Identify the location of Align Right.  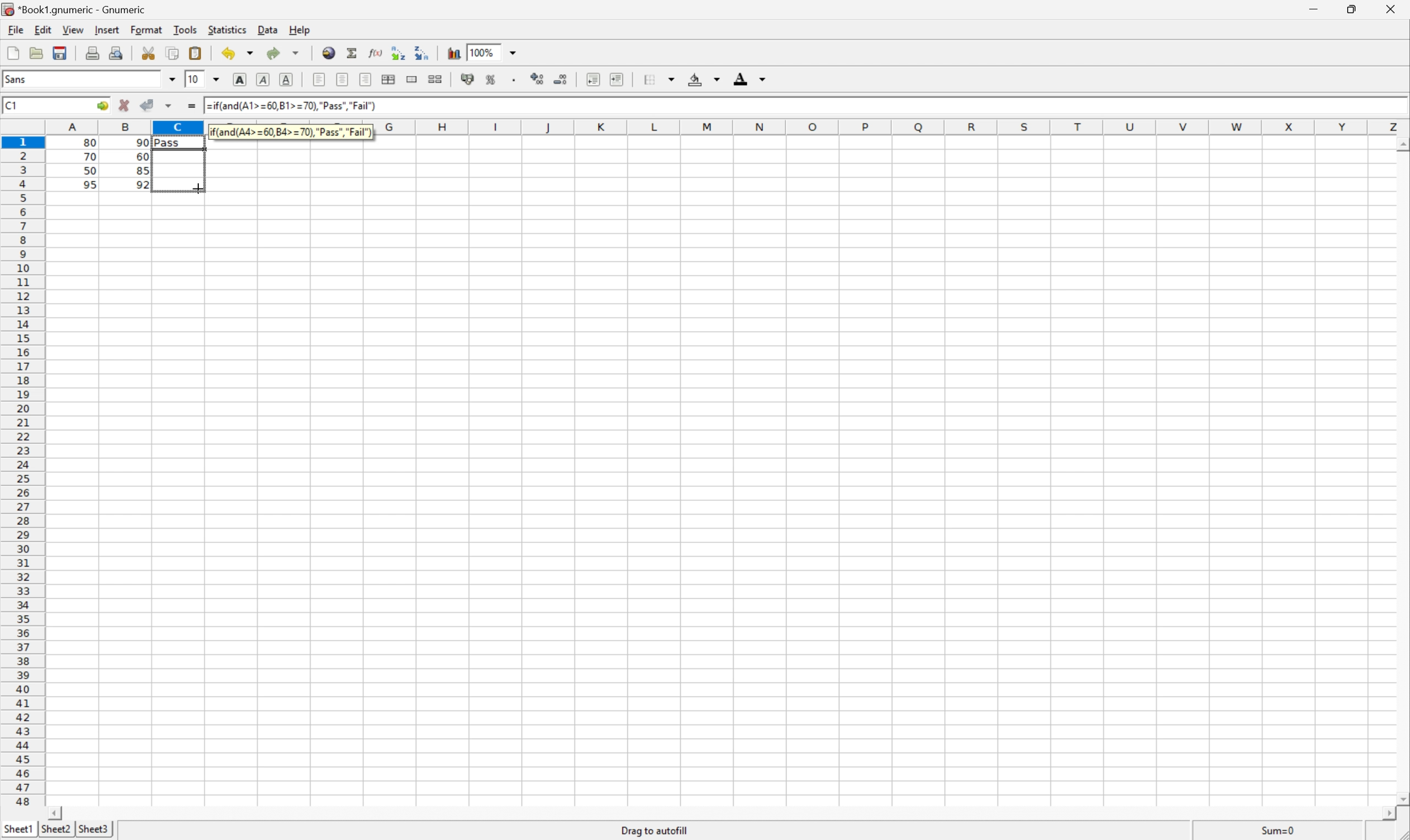
(318, 80).